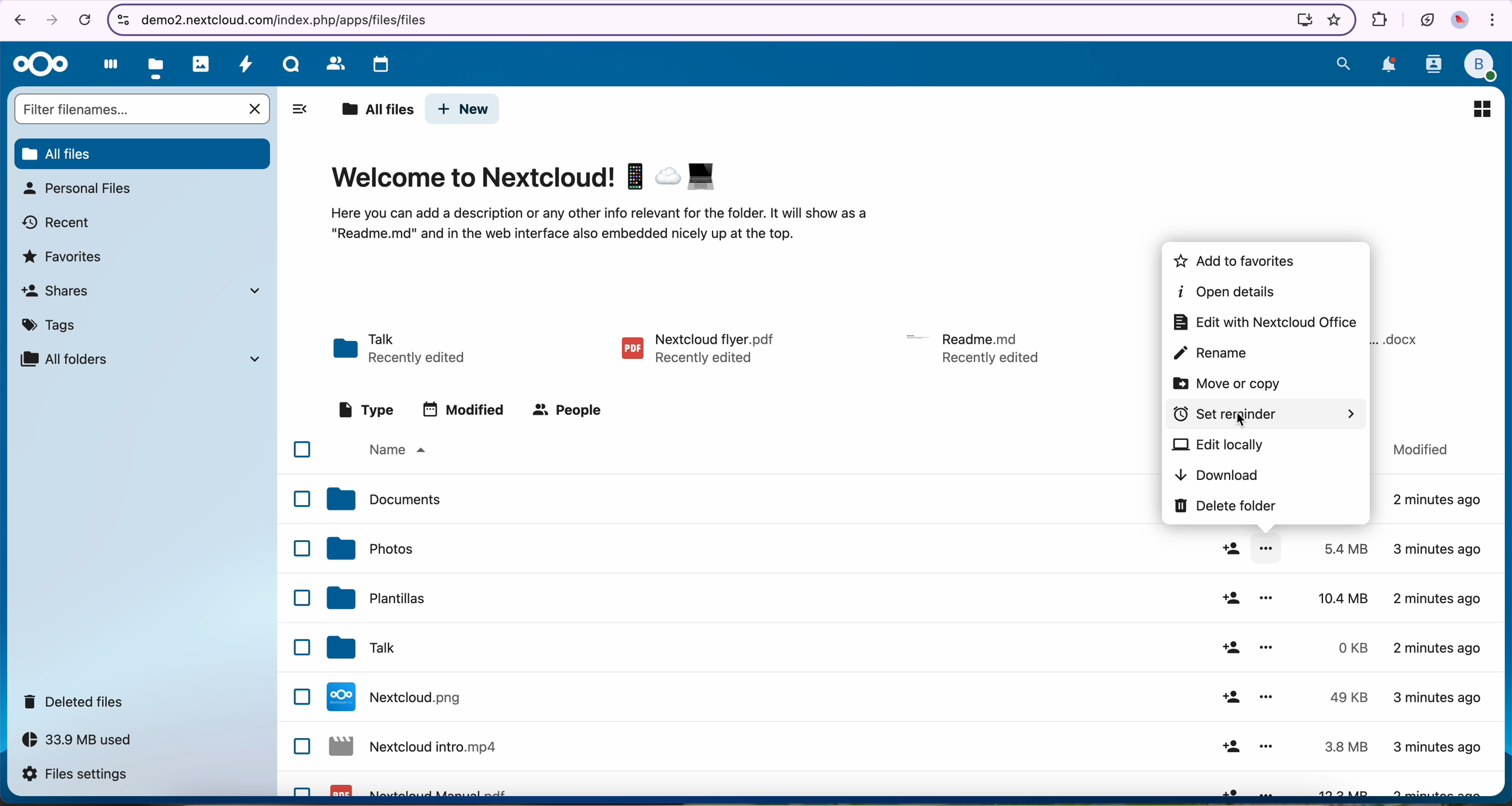  I want to click on all files, so click(143, 154).